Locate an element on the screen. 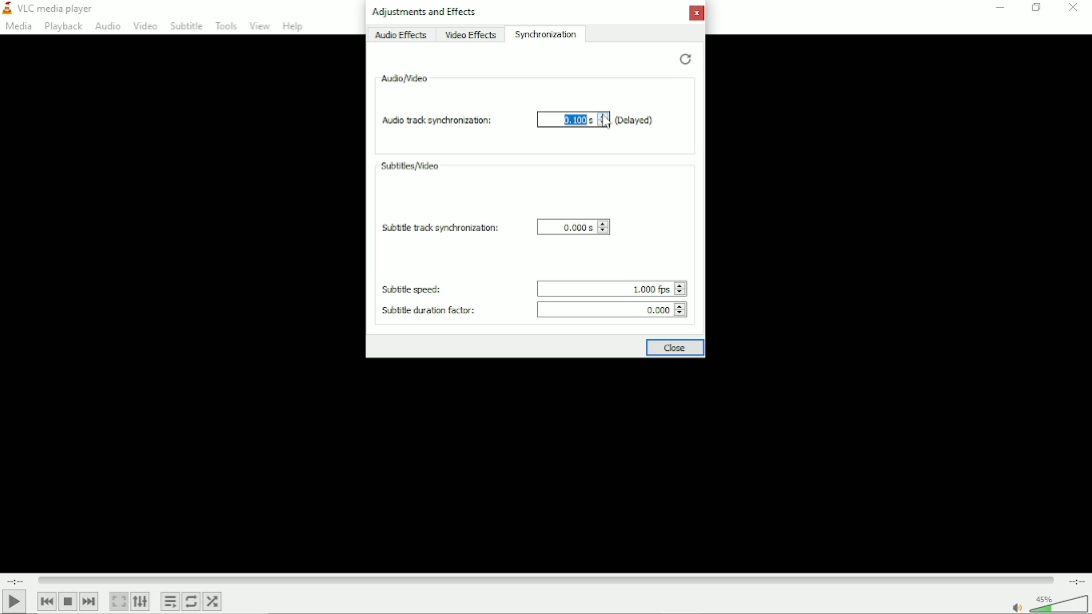  Subtitle/video is located at coordinates (410, 166).